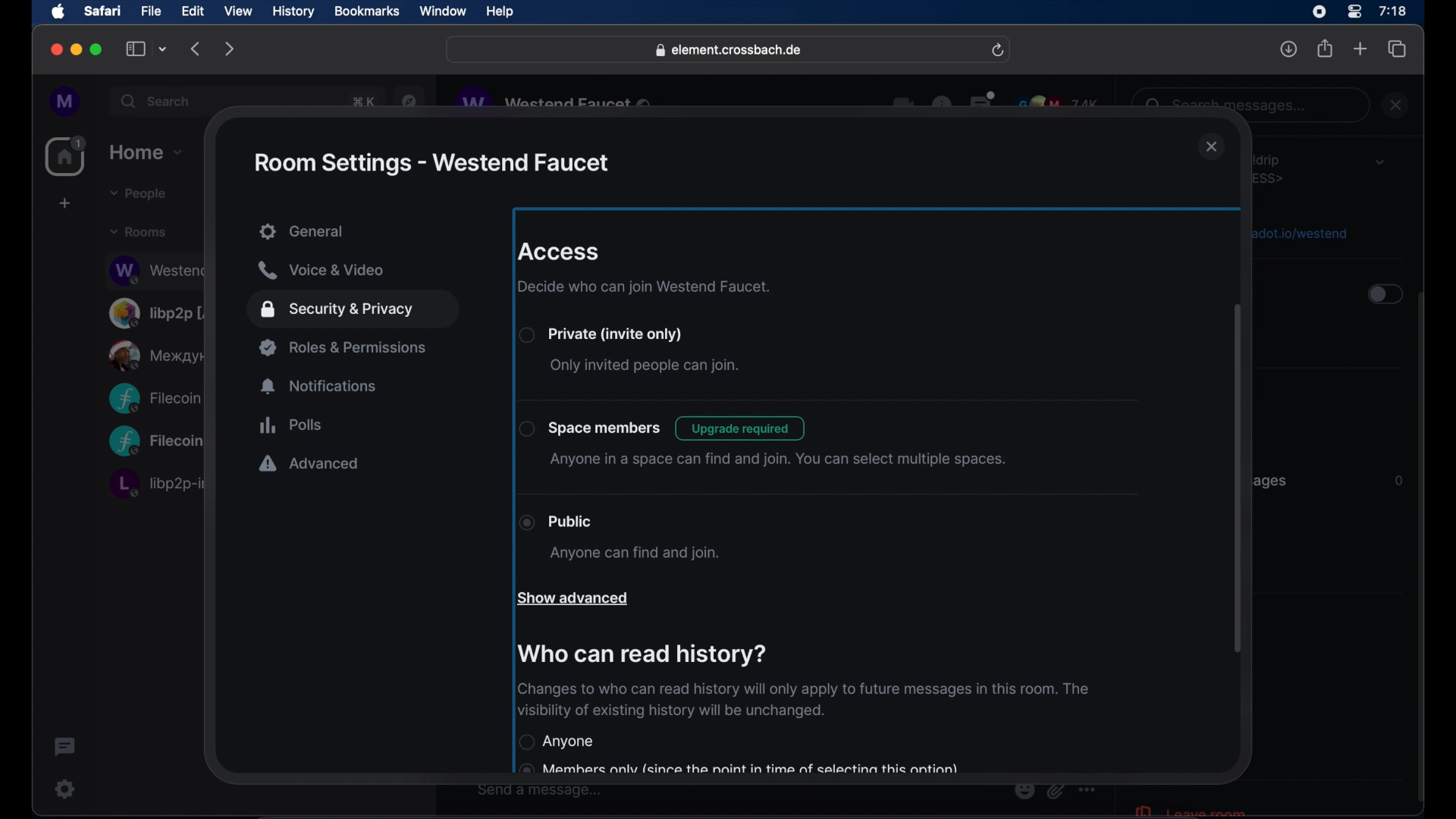  What do you see at coordinates (1326, 49) in the screenshot?
I see `share` at bounding box center [1326, 49].